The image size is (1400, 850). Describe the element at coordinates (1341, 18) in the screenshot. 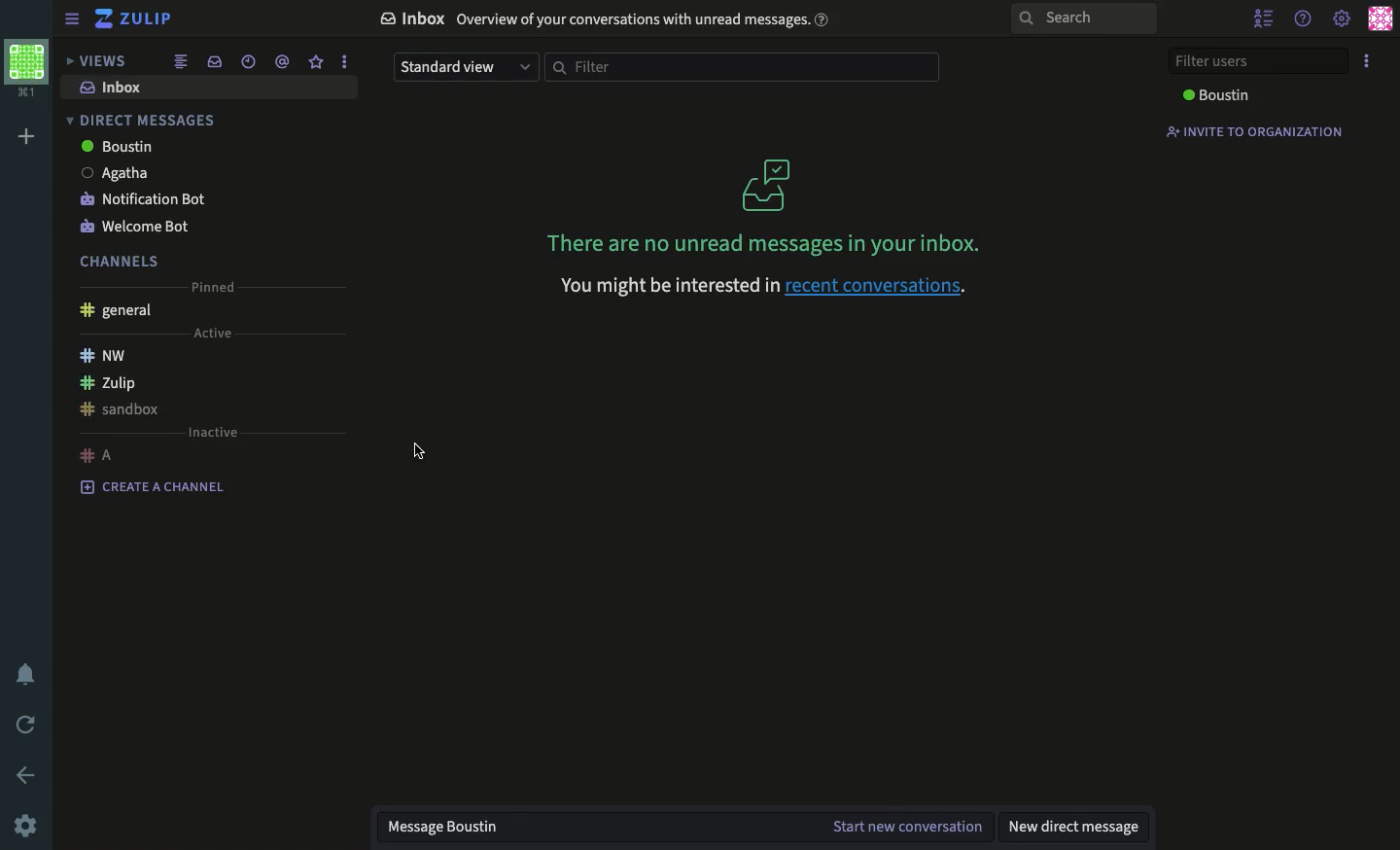

I see `settings` at that location.